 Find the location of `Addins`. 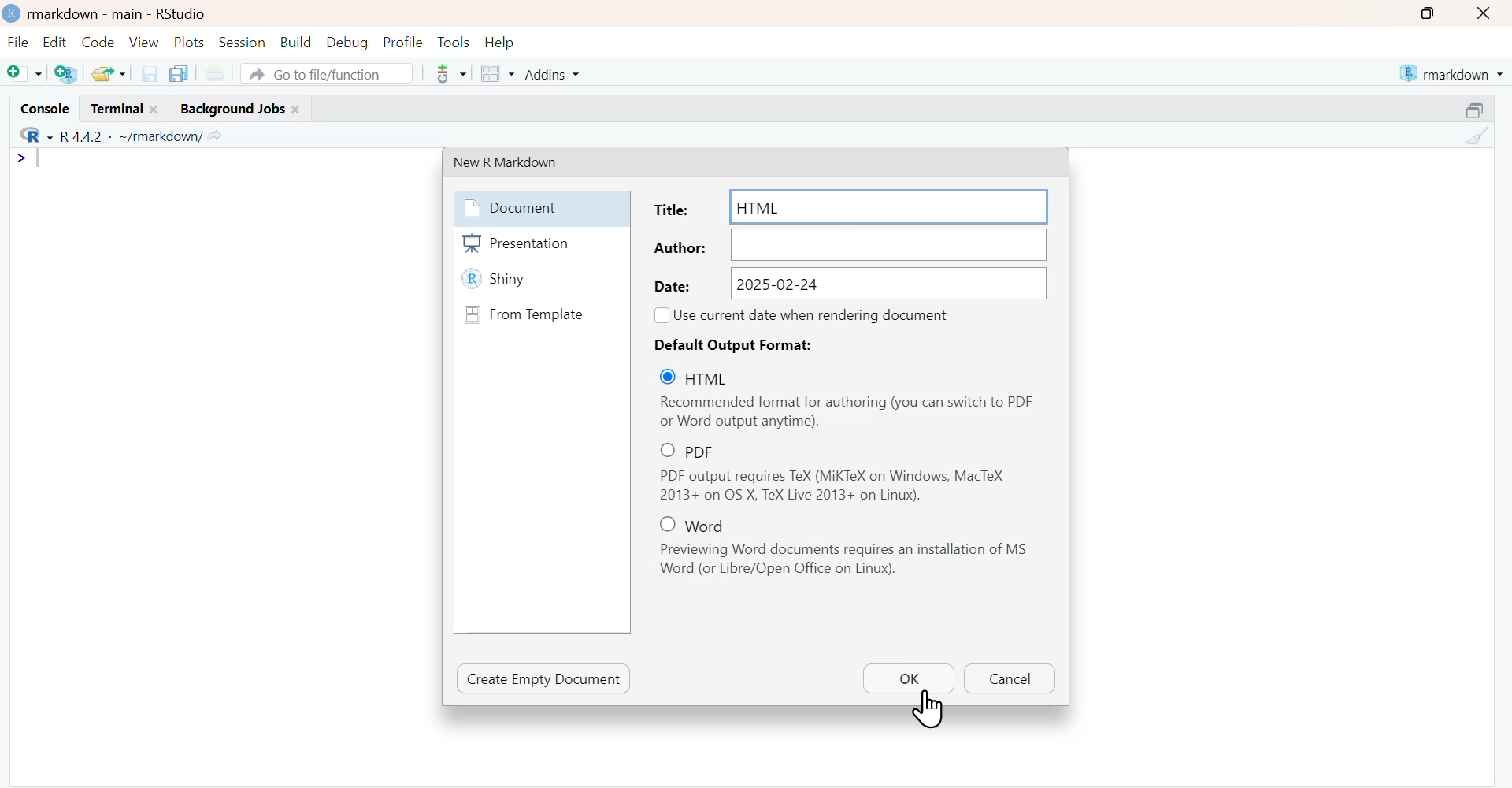

Addins is located at coordinates (550, 73).